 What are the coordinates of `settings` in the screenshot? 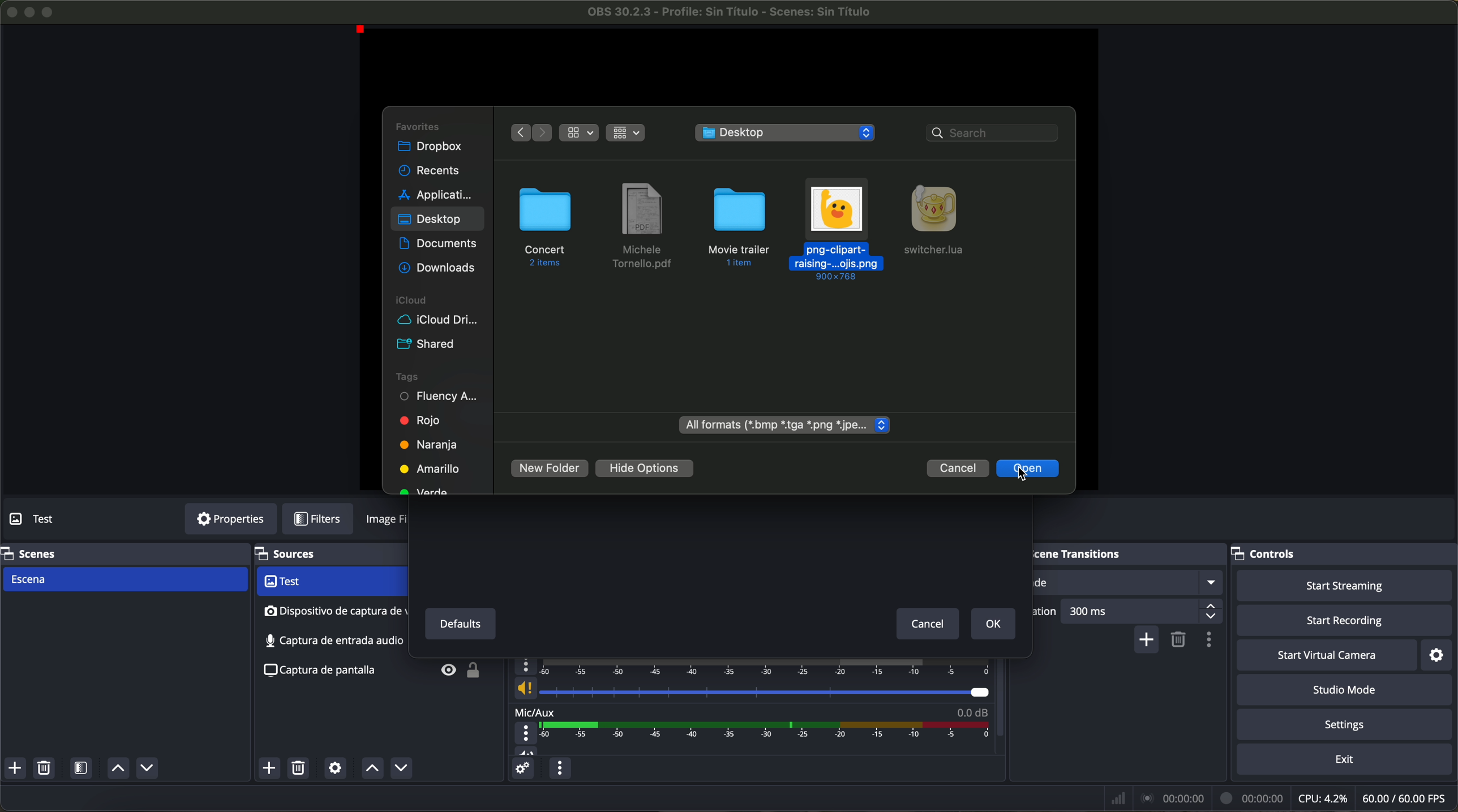 It's located at (1442, 654).